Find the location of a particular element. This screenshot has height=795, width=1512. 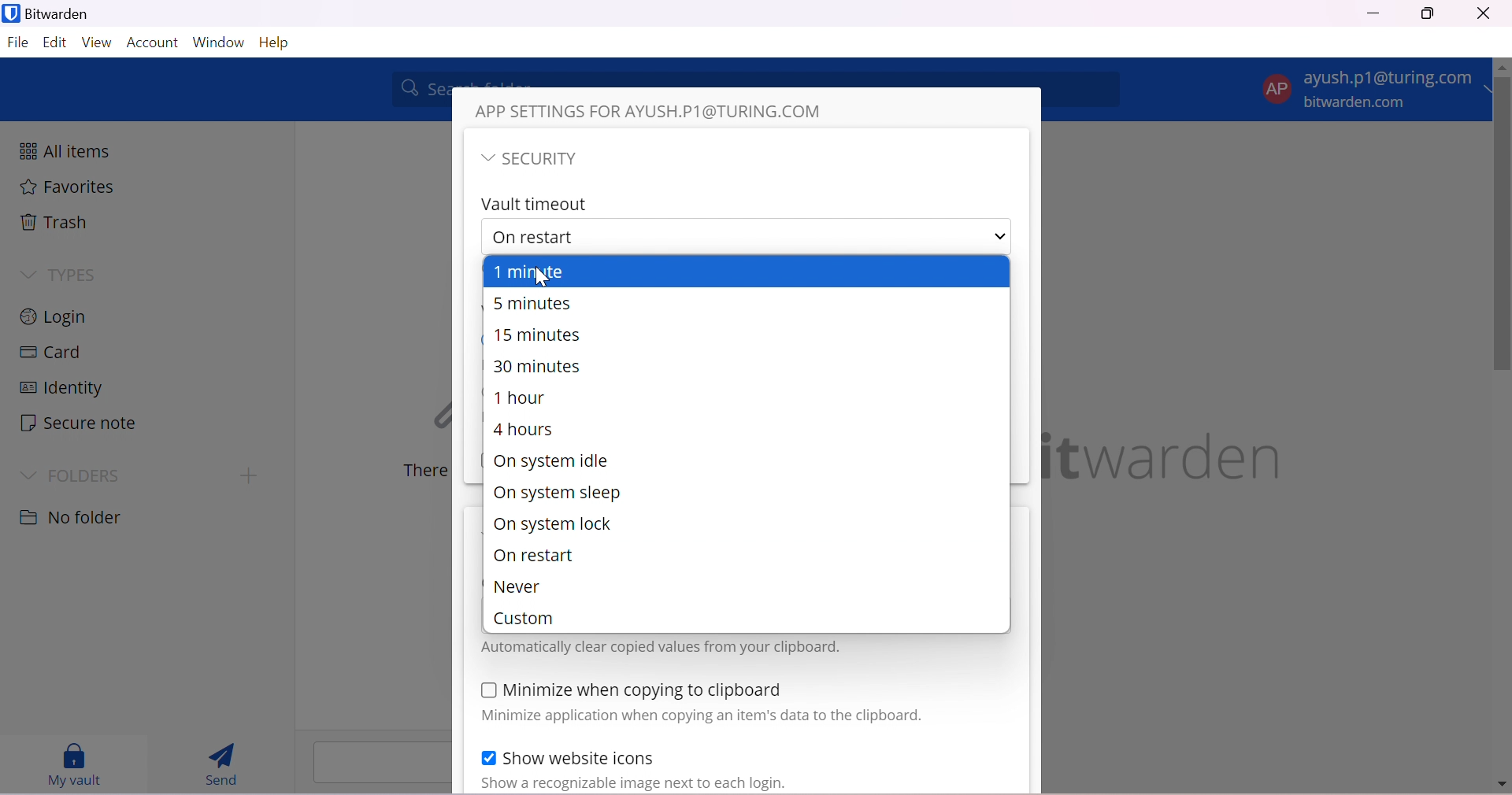

Help is located at coordinates (280, 44).